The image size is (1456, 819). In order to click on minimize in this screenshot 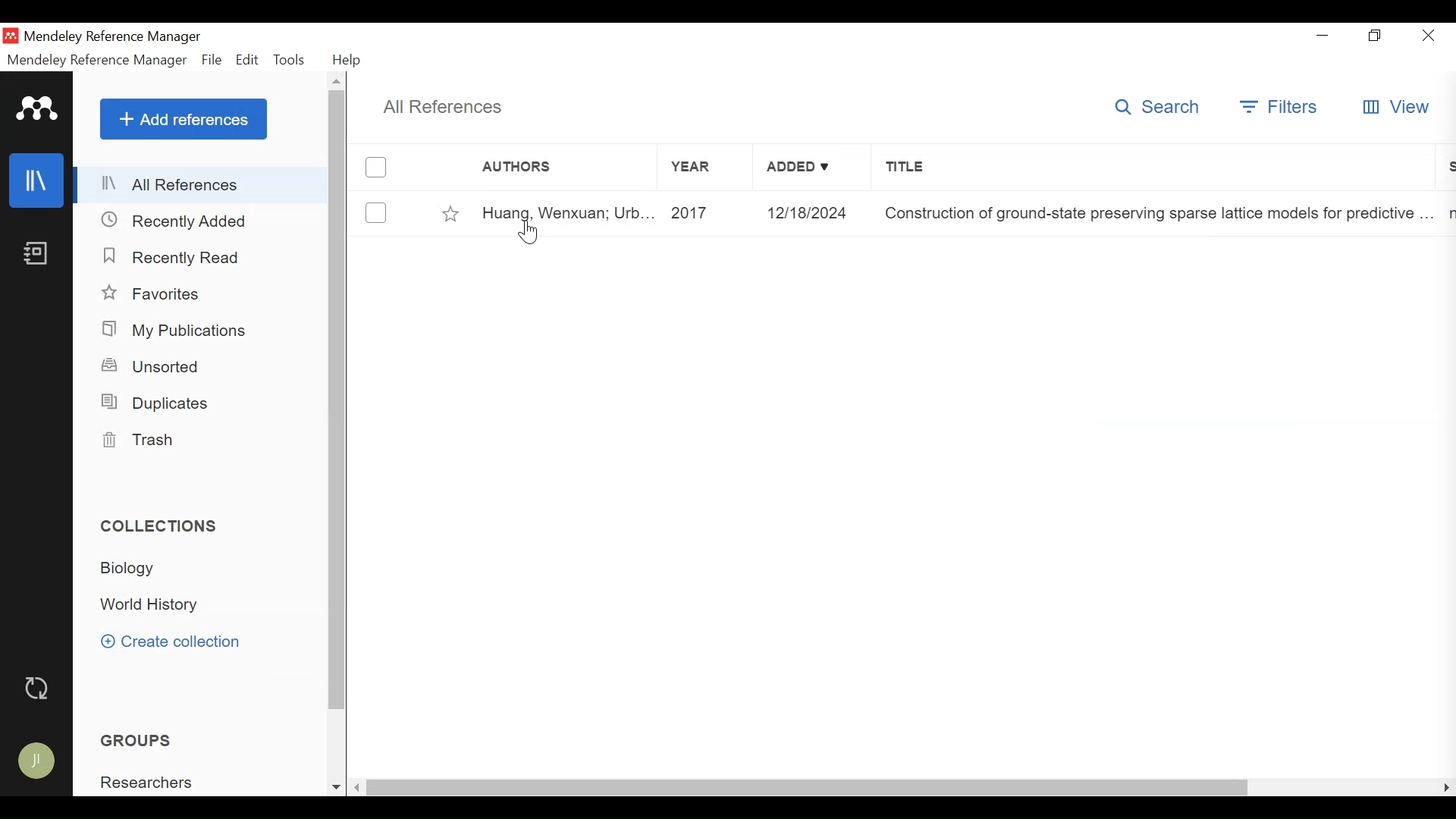, I will do `click(1323, 36)`.